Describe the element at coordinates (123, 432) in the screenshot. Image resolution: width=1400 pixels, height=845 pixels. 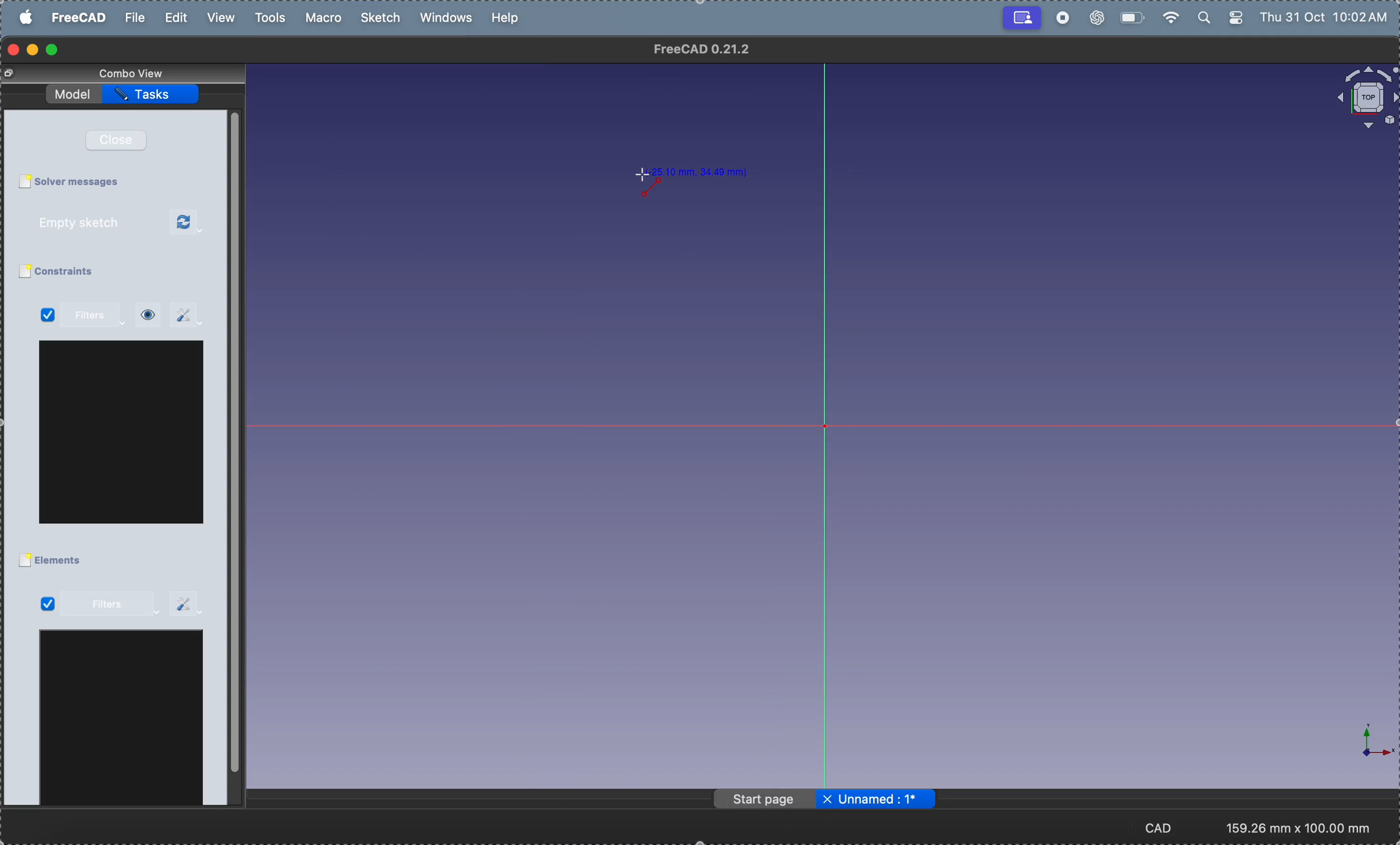
I see `window` at that location.